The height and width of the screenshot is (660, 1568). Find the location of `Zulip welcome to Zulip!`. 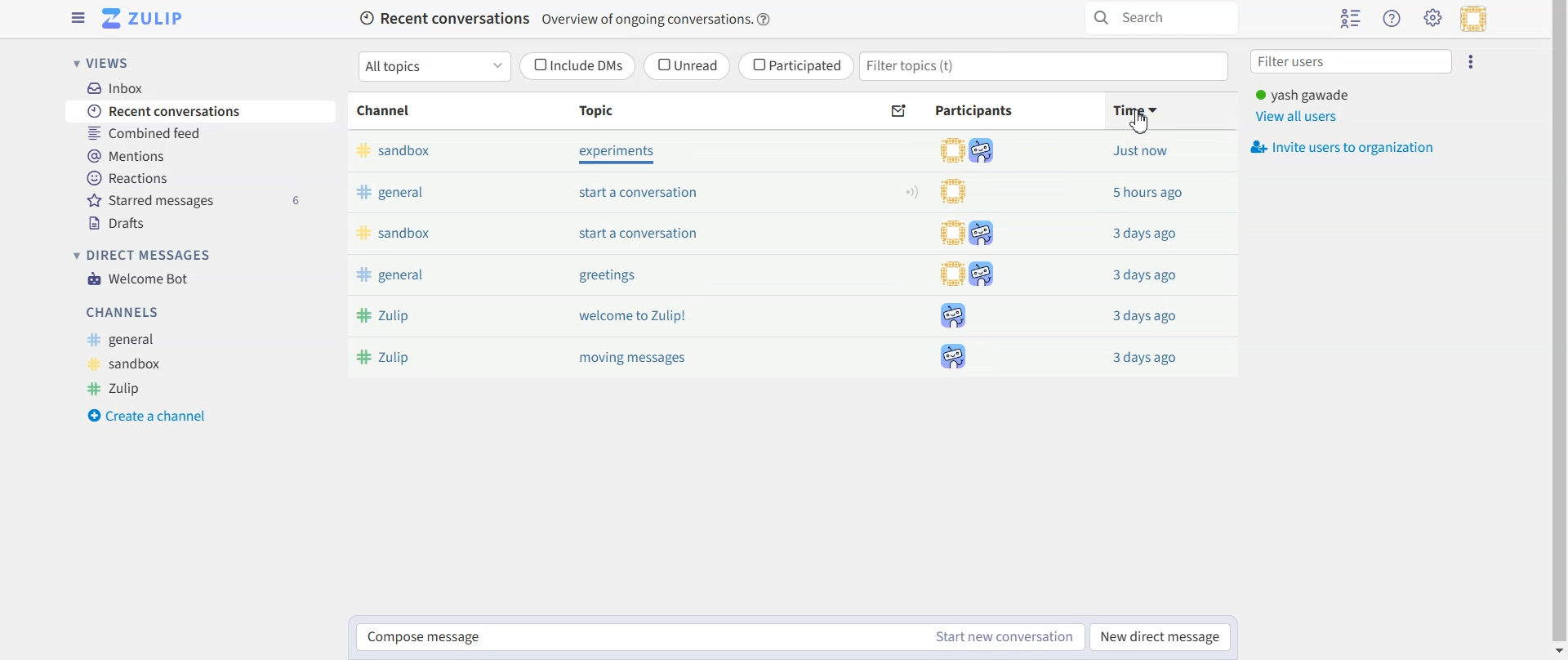

Zulip welcome to Zulip! is located at coordinates (574, 317).